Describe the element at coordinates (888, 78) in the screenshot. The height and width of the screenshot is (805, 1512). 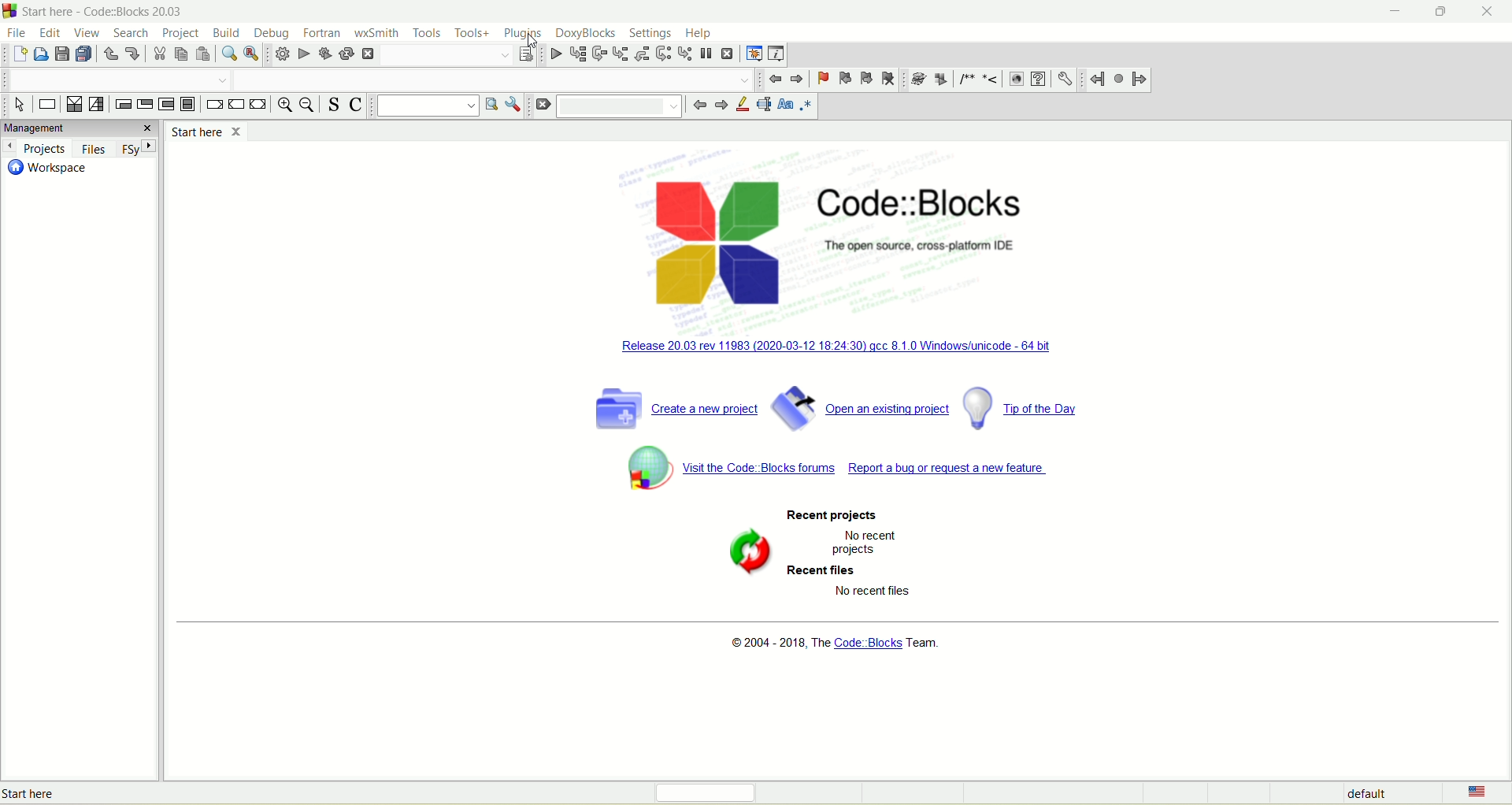
I see `clear bookmark` at that location.